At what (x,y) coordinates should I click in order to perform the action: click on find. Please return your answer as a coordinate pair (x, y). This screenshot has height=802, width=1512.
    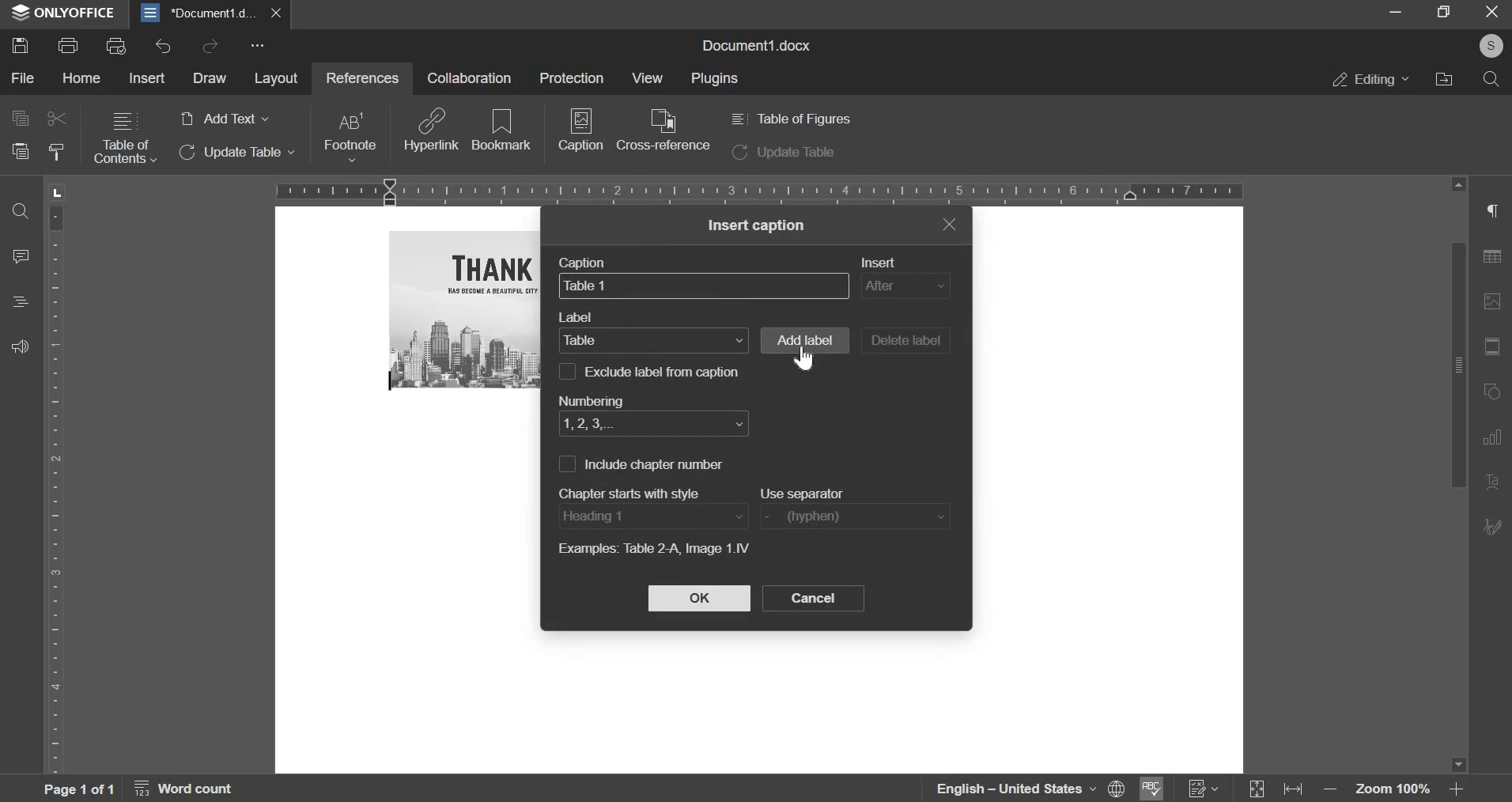
    Looking at the image, I should click on (20, 213).